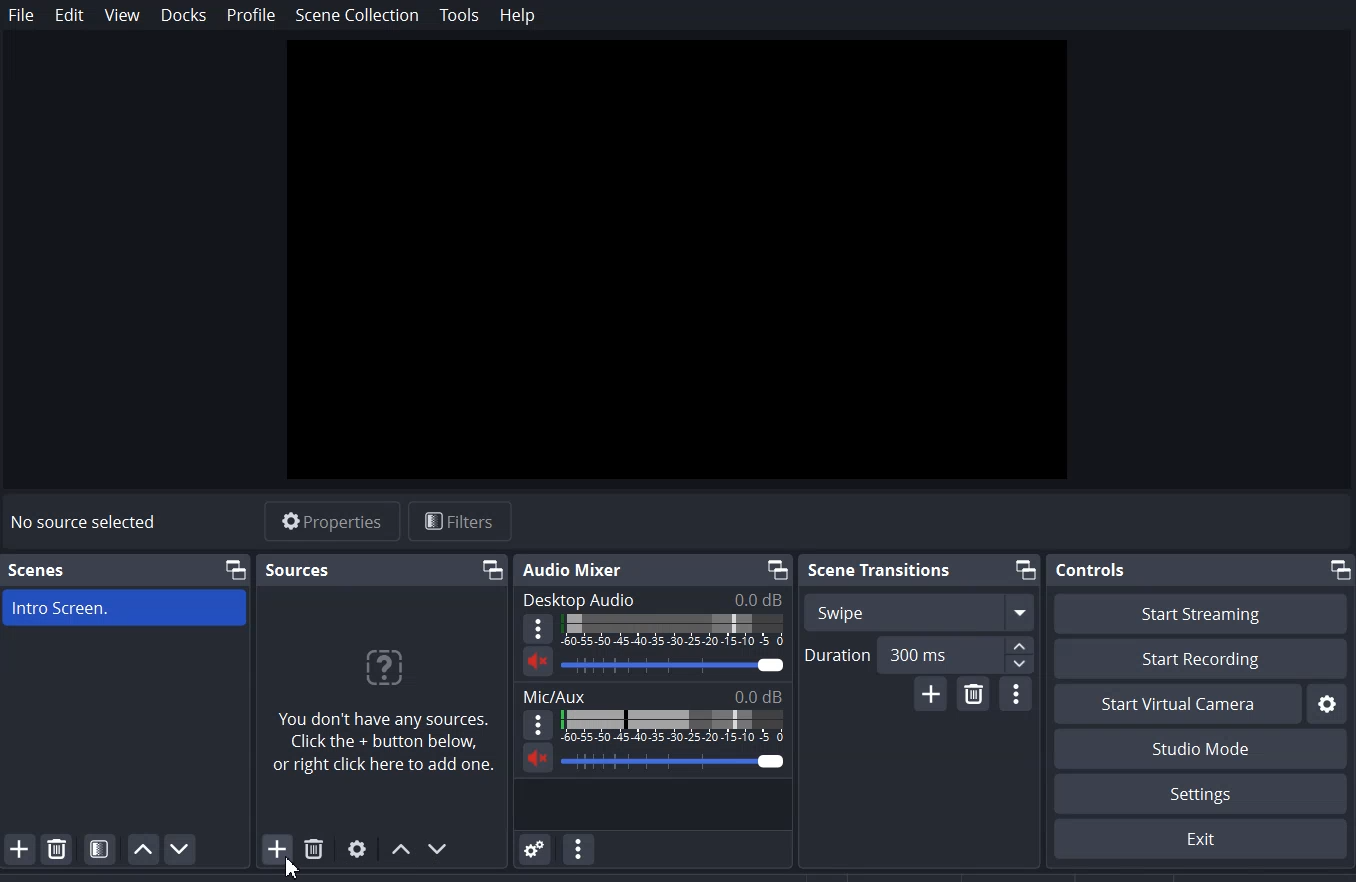 The height and width of the screenshot is (882, 1356). Describe the element at coordinates (572, 569) in the screenshot. I see `Audio ZMixer` at that location.